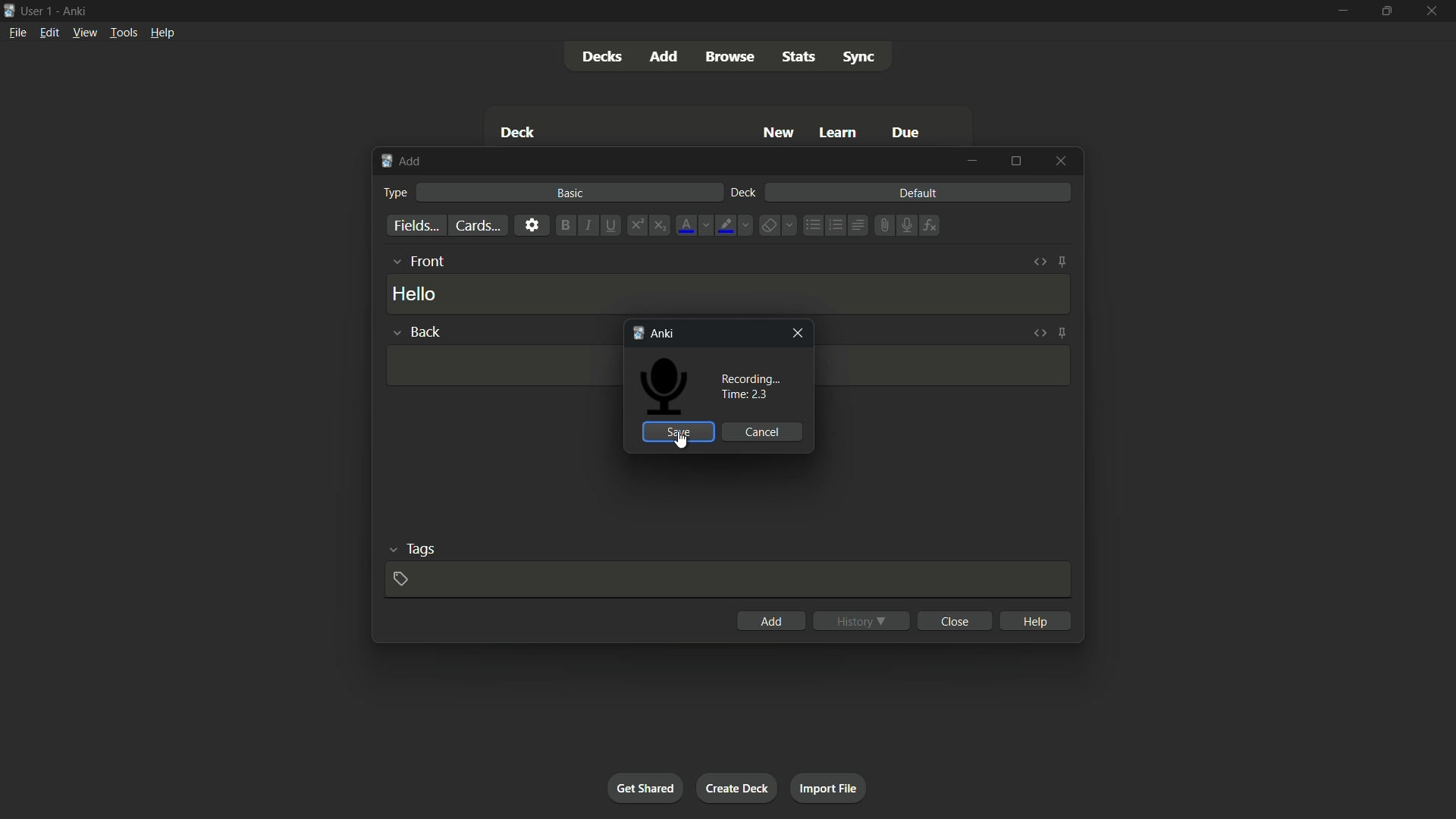 Image resolution: width=1456 pixels, height=819 pixels. I want to click on italic, so click(588, 225).